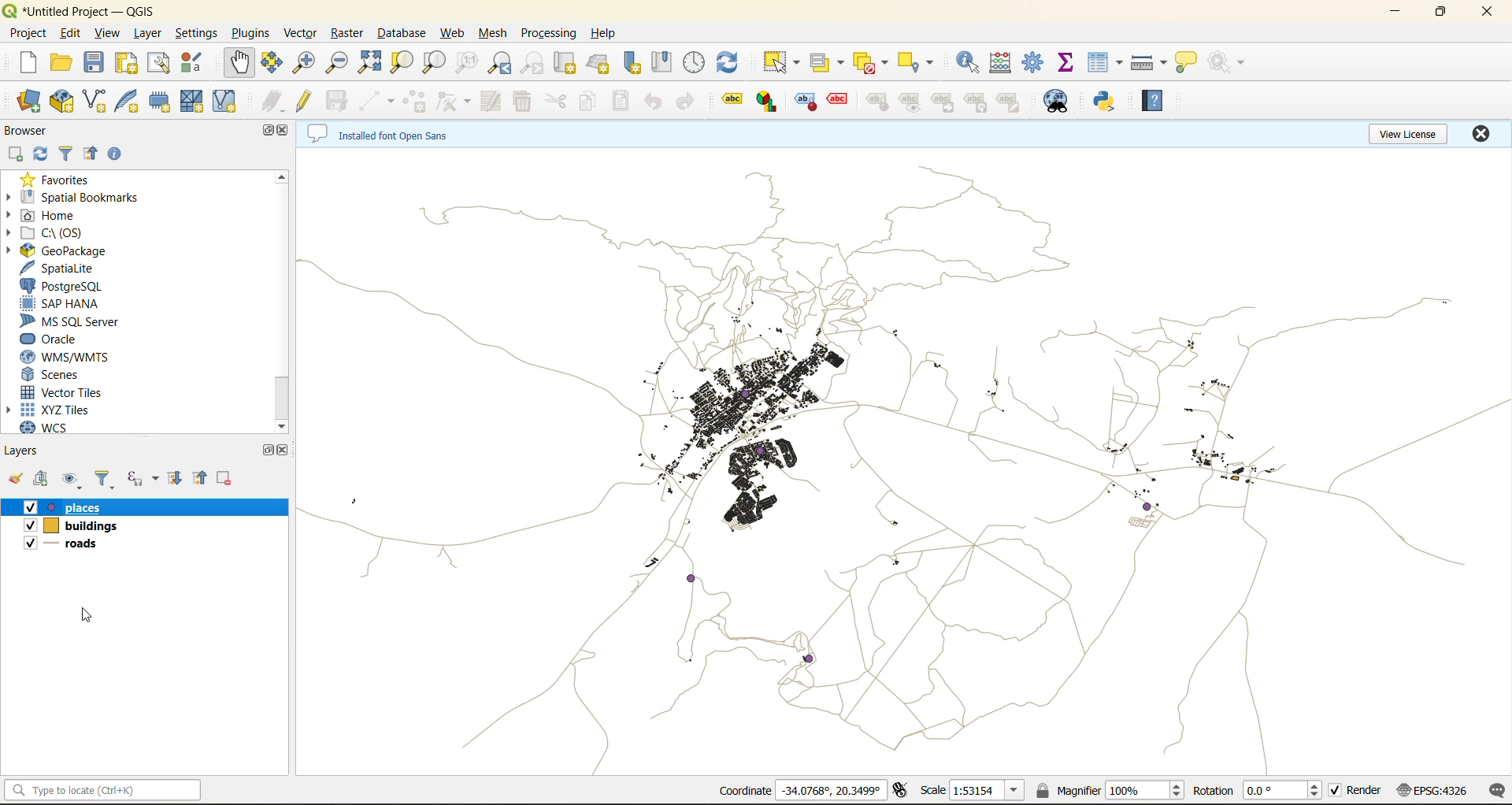 This screenshot has height=805, width=1512. Describe the element at coordinates (1105, 101) in the screenshot. I see `python` at that location.